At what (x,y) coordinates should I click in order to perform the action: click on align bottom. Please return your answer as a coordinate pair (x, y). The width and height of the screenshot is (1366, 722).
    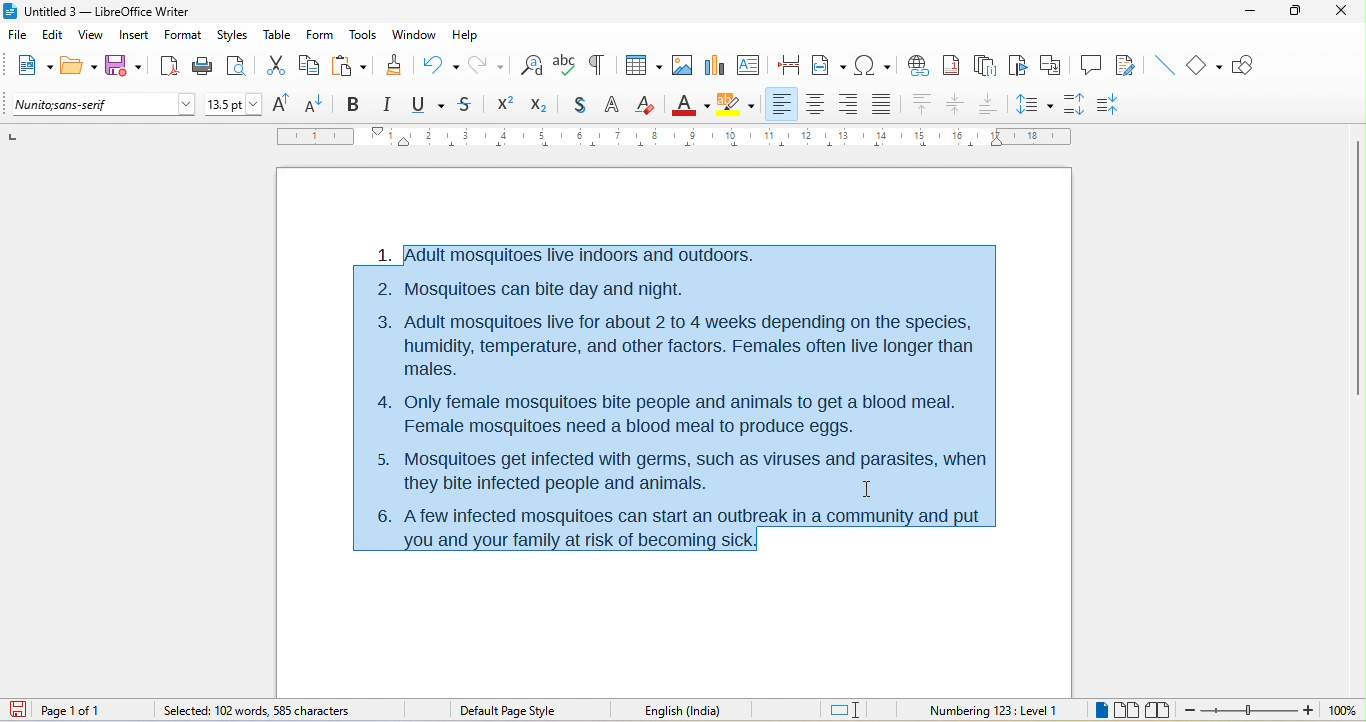
    Looking at the image, I should click on (988, 104).